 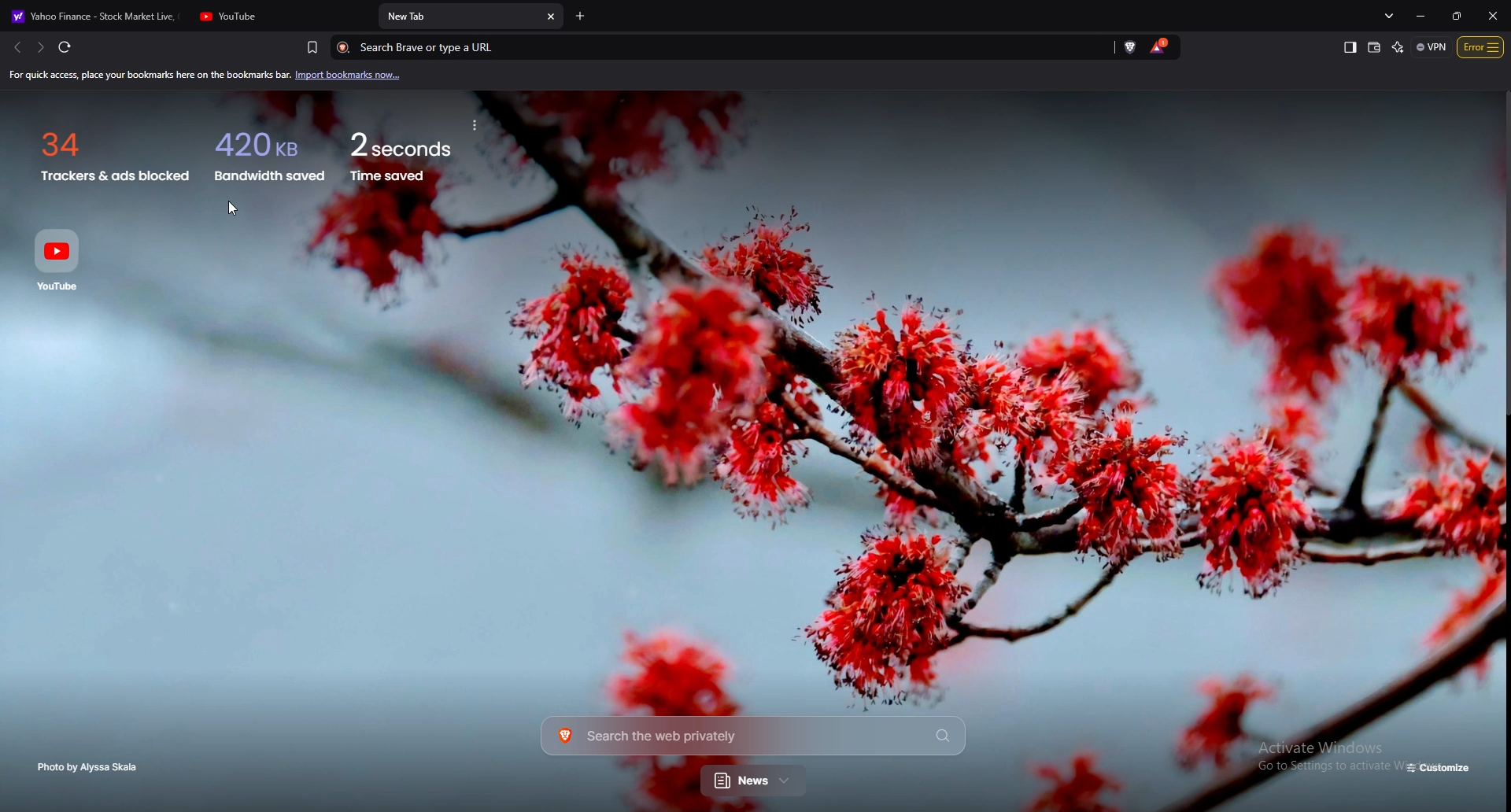 I want to click on search tabs, so click(x=1391, y=15).